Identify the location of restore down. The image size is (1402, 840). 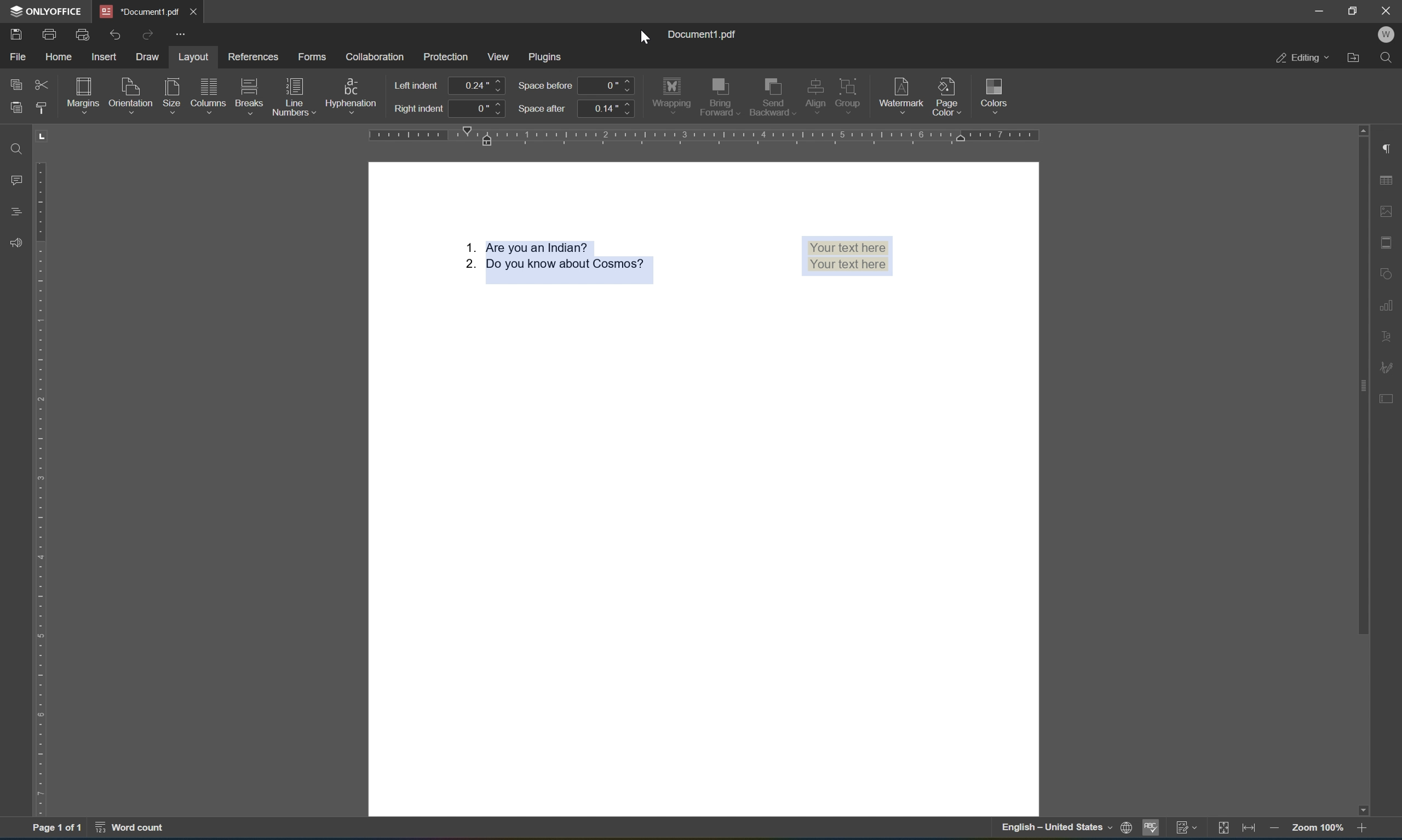
(1353, 11).